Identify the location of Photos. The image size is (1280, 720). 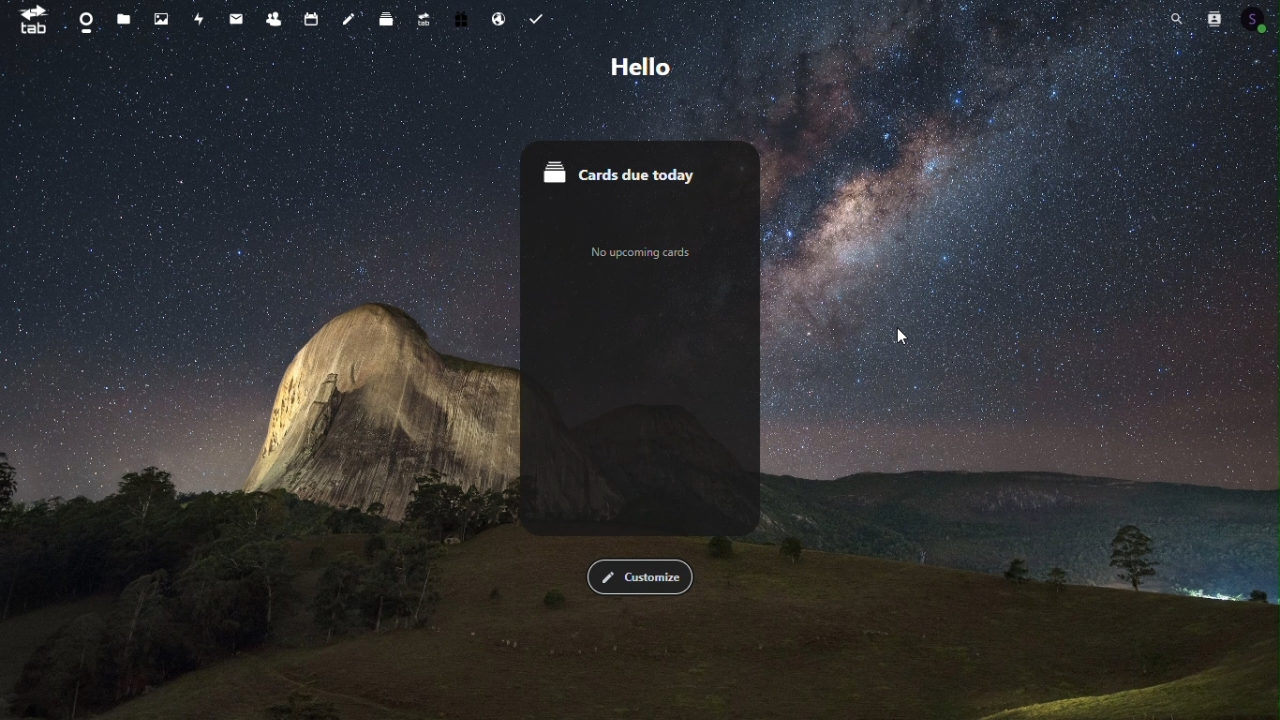
(160, 19).